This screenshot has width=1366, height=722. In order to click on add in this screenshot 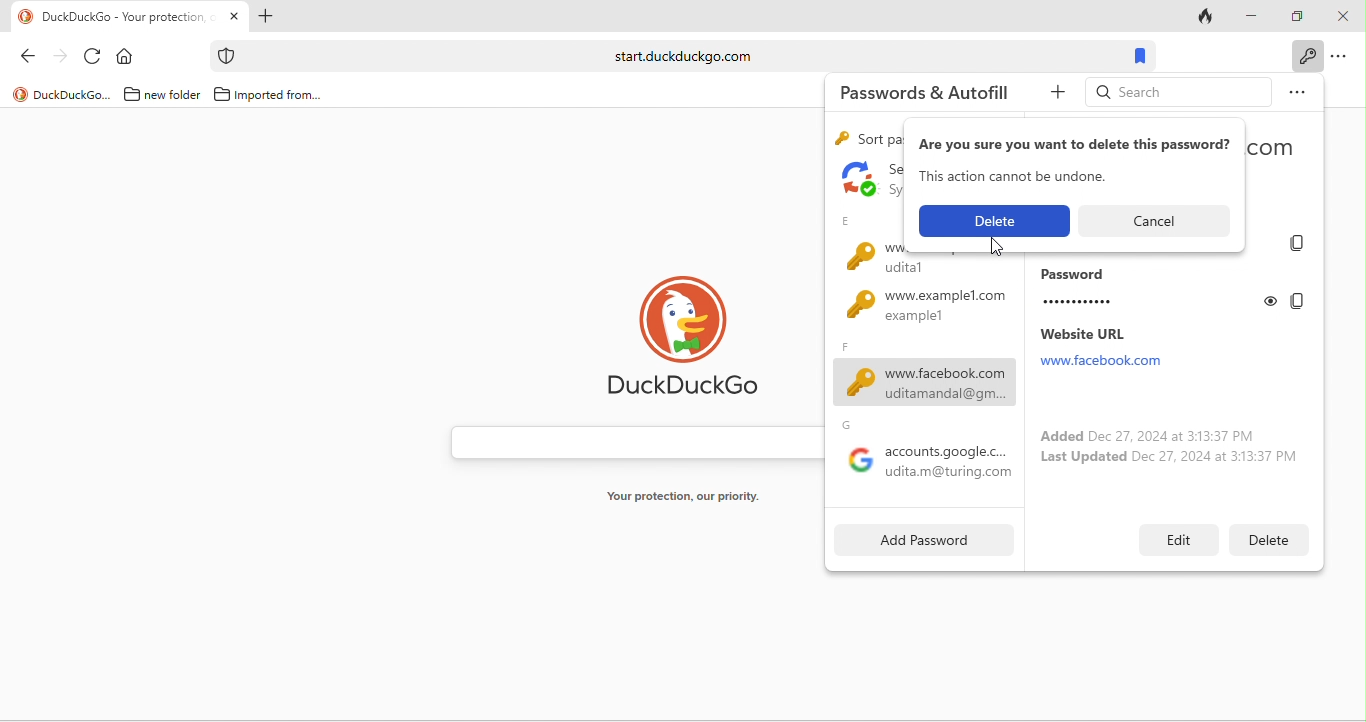, I will do `click(1052, 96)`.